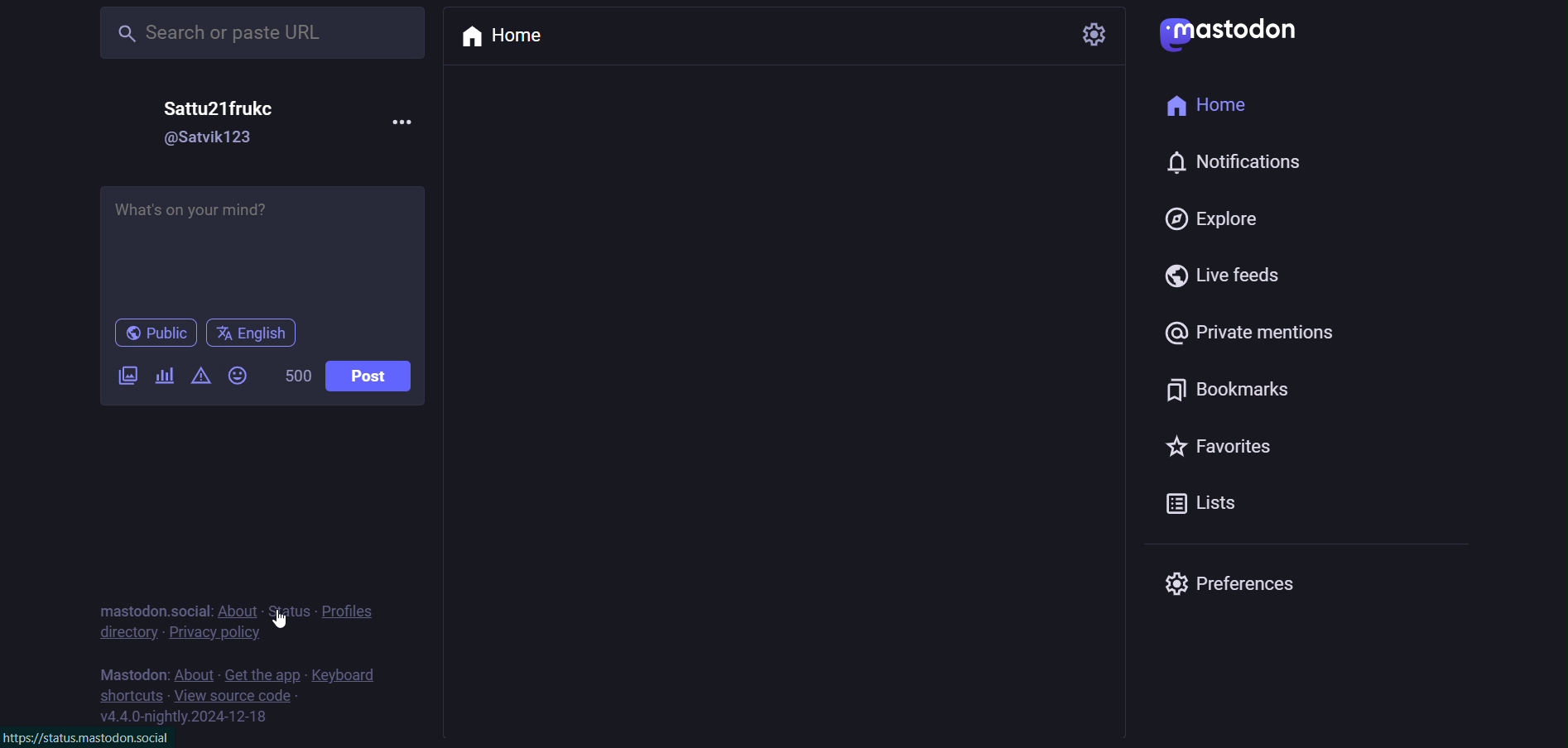 The image size is (1568, 748). What do you see at coordinates (263, 677) in the screenshot?
I see `get the app` at bounding box center [263, 677].